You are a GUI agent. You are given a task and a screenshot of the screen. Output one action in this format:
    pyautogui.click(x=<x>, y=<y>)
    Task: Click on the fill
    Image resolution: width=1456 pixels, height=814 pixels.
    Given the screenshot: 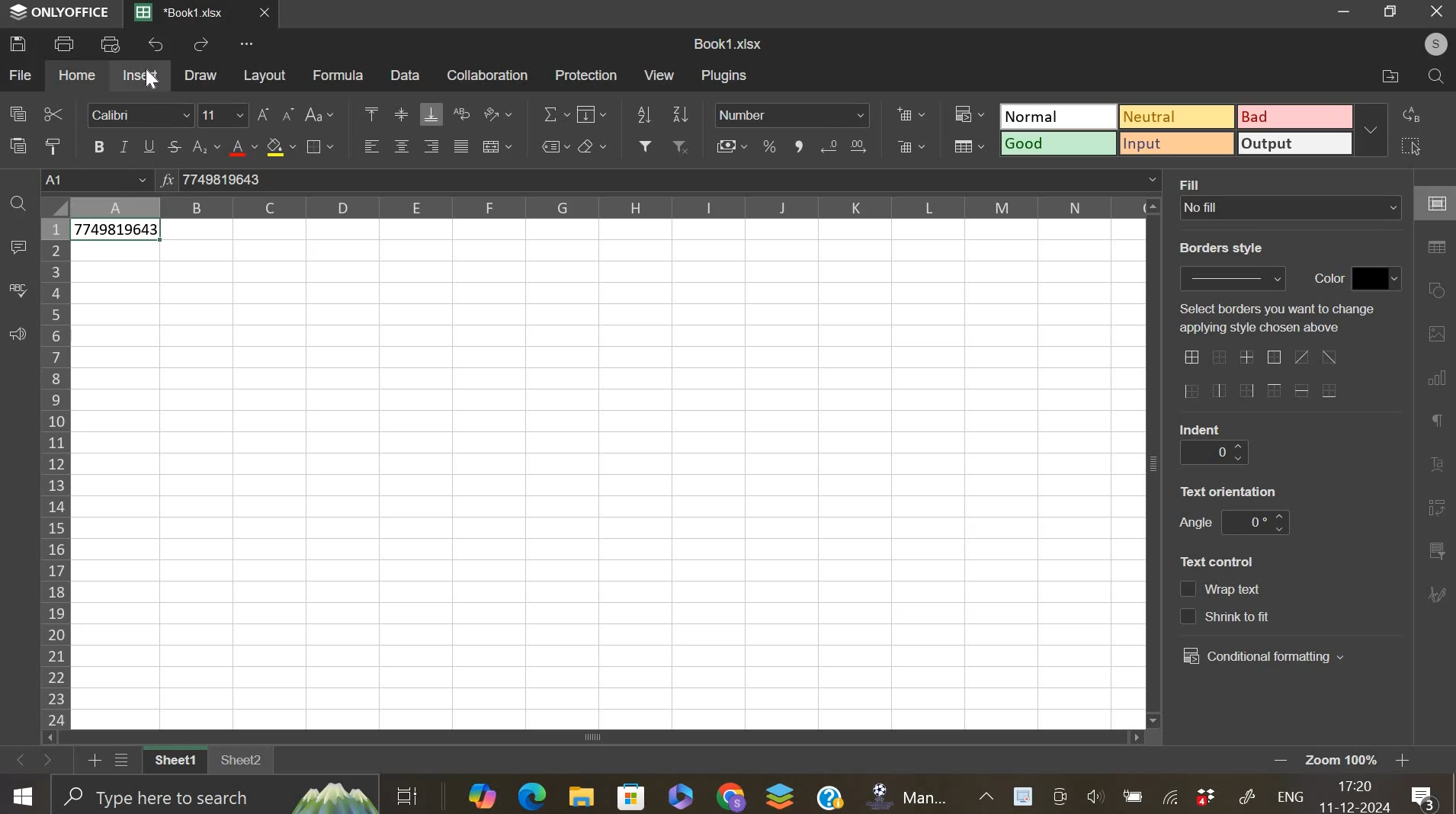 What is the action you would take?
    pyautogui.click(x=592, y=114)
    